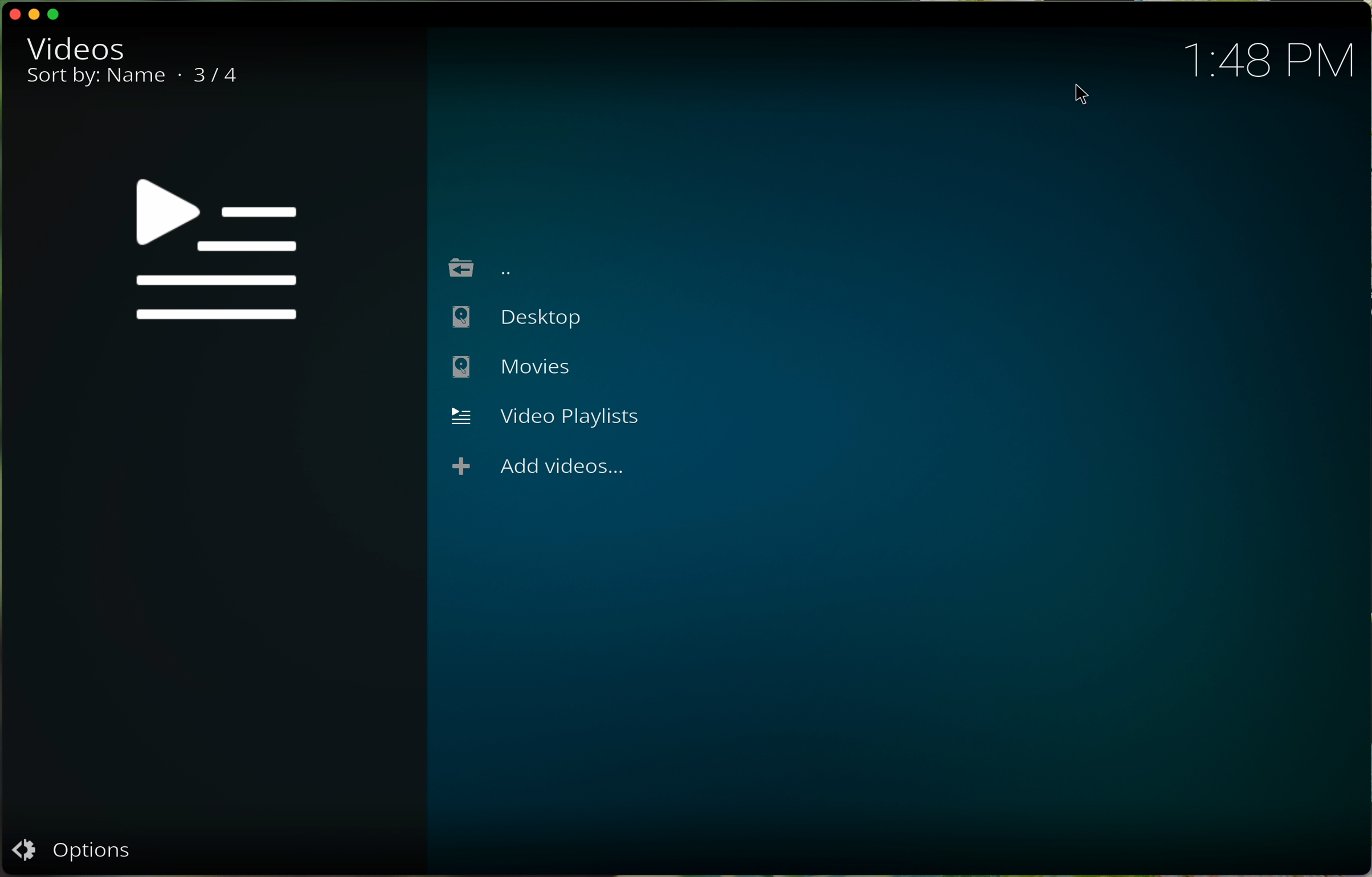 This screenshot has width=1372, height=877. What do you see at coordinates (1277, 59) in the screenshot?
I see `1:48 PM` at bounding box center [1277, 59].